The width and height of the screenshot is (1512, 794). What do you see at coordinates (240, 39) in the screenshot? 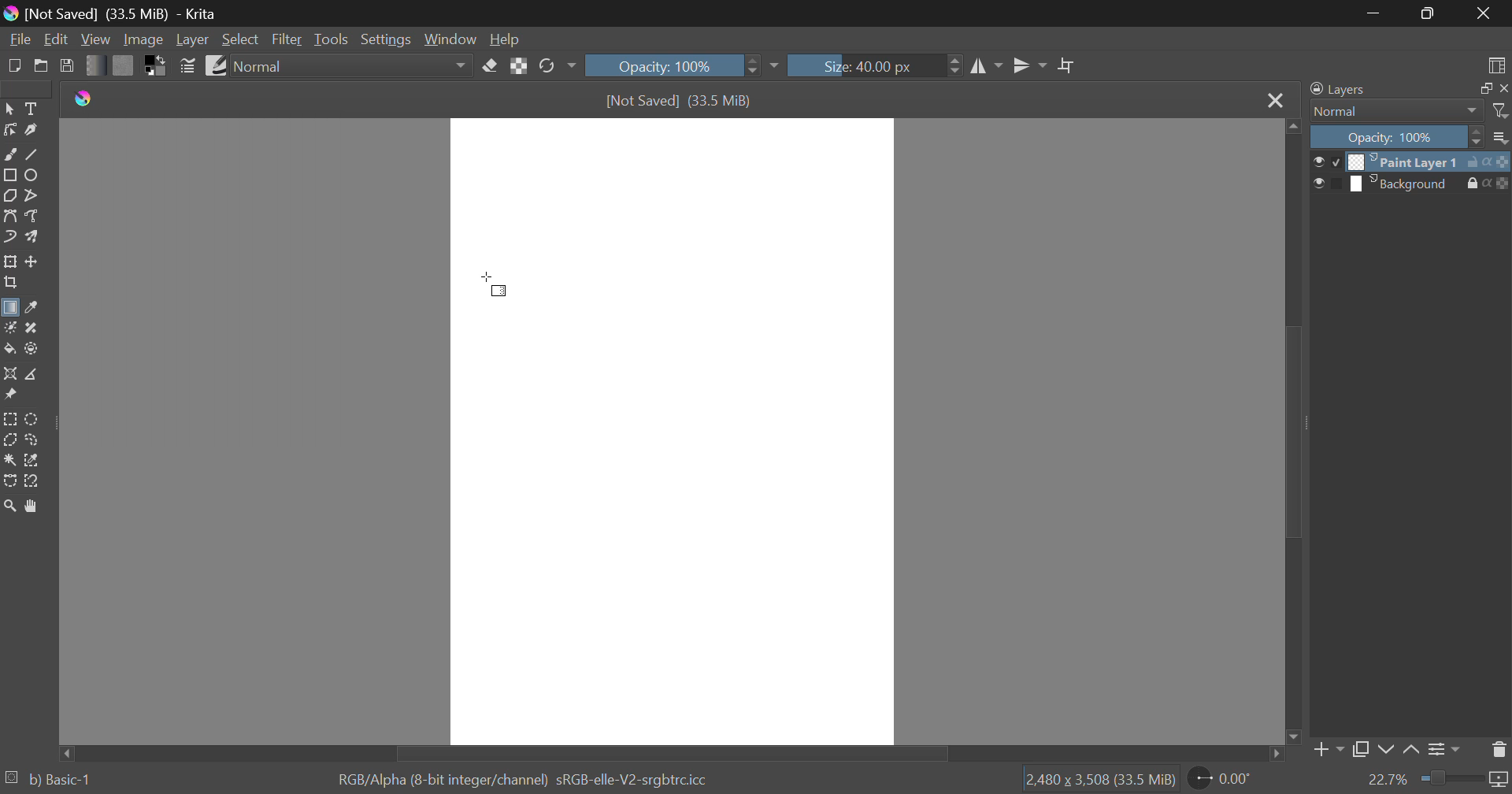
I see `Select` at bounding box center [240, 39].